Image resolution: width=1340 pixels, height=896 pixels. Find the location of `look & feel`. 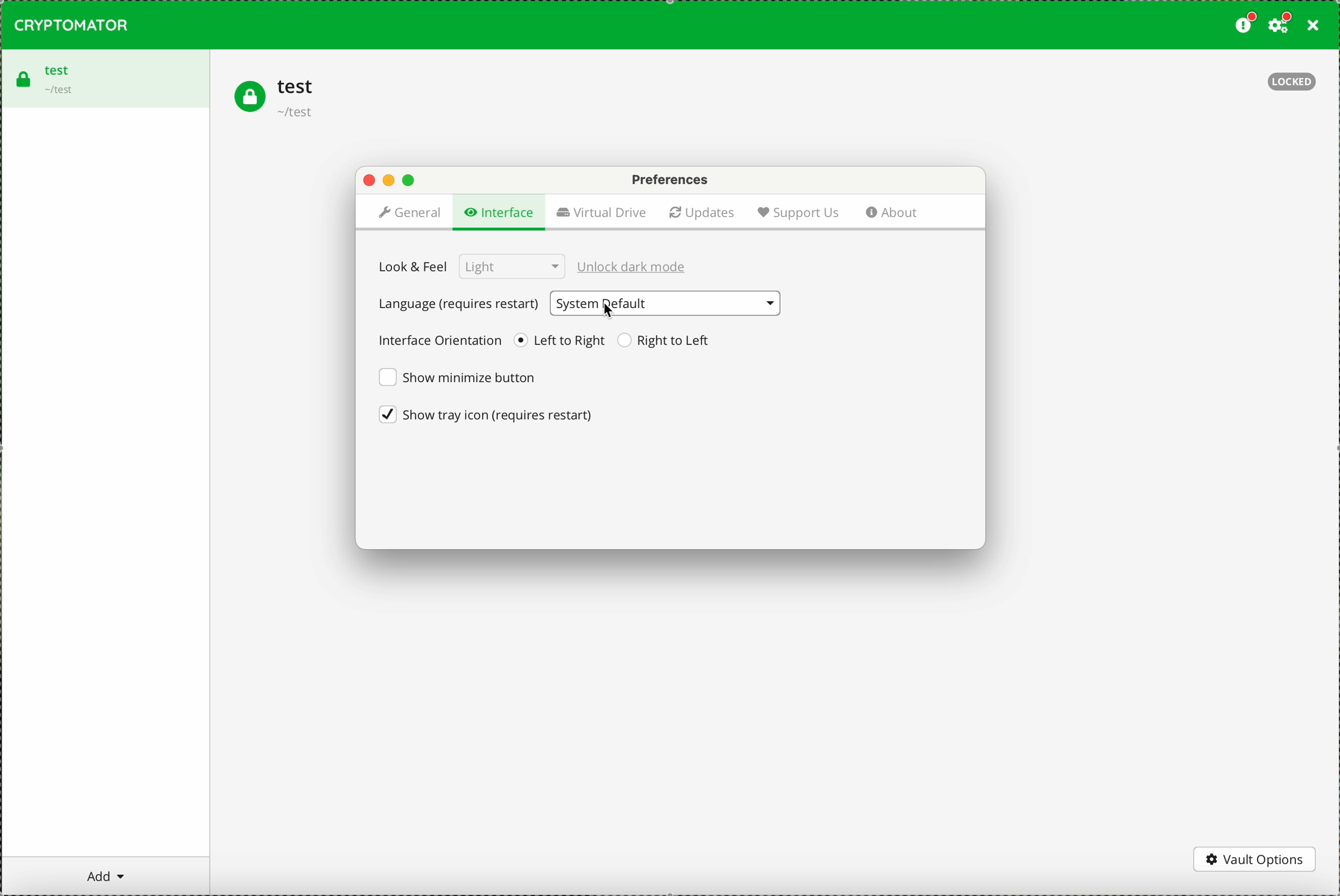

look & feel is located at coordinates (468, 267).